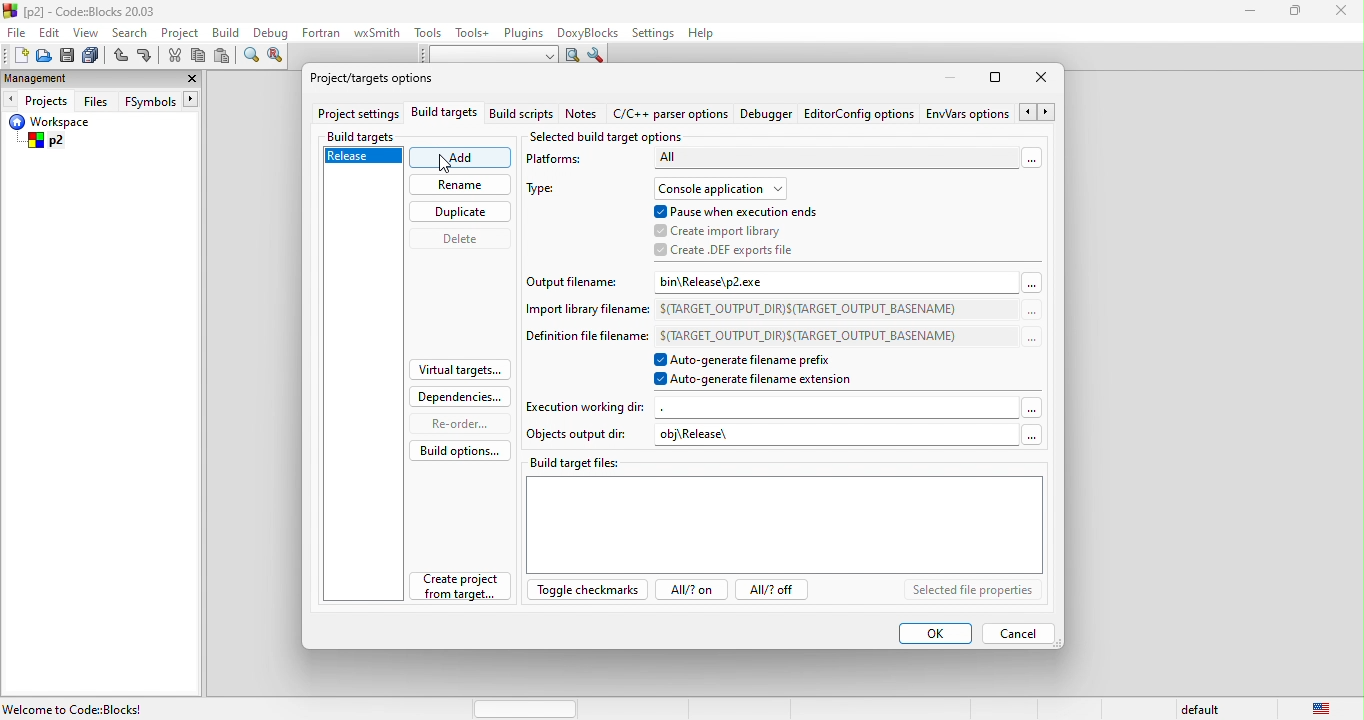  I want to click on auto generate file name prefix, so click(757, 359).